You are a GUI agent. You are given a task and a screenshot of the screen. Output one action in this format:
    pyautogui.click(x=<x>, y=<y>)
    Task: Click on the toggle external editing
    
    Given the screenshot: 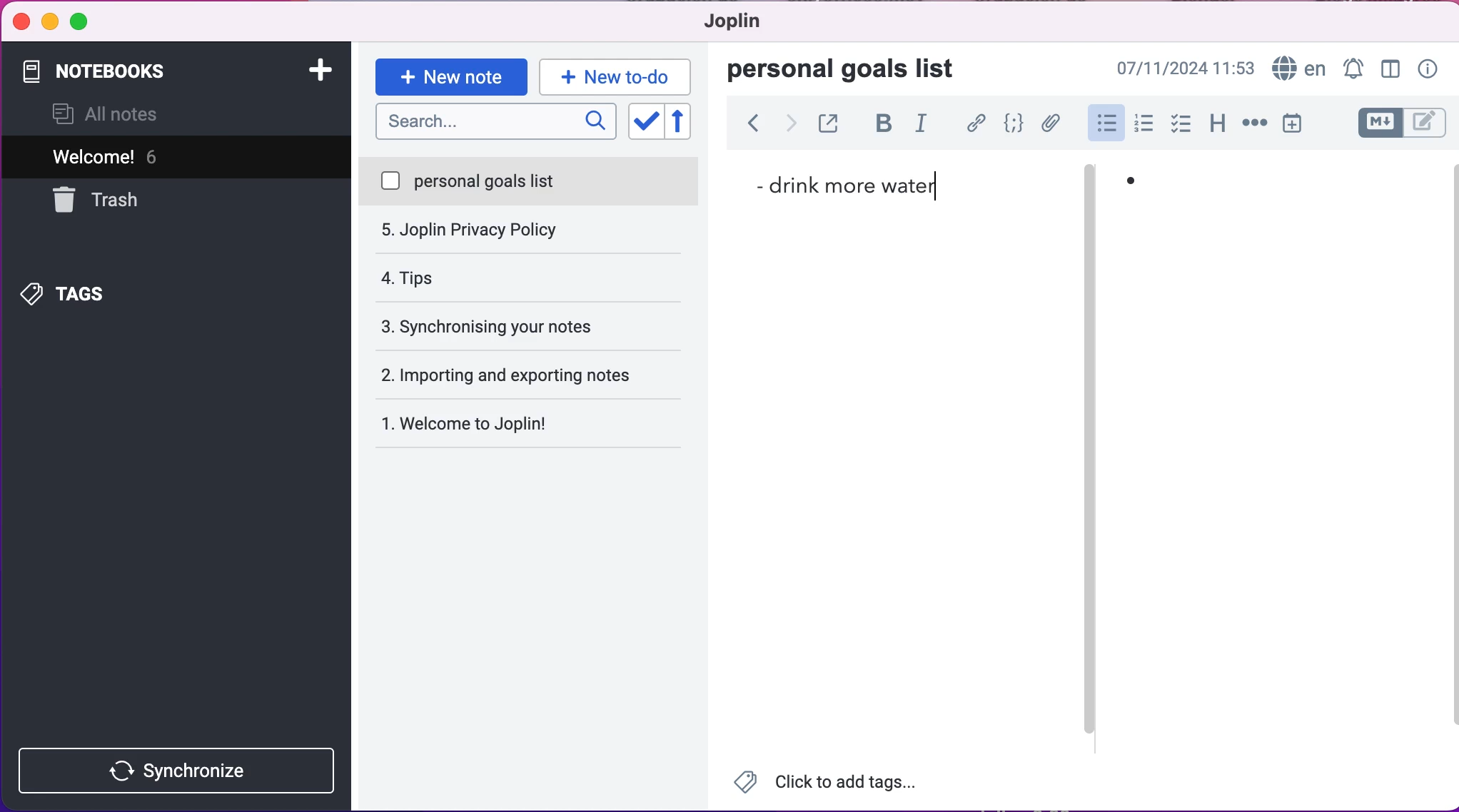 What is the action you would take?
    pyautogui.click(x=829, y=126)
    